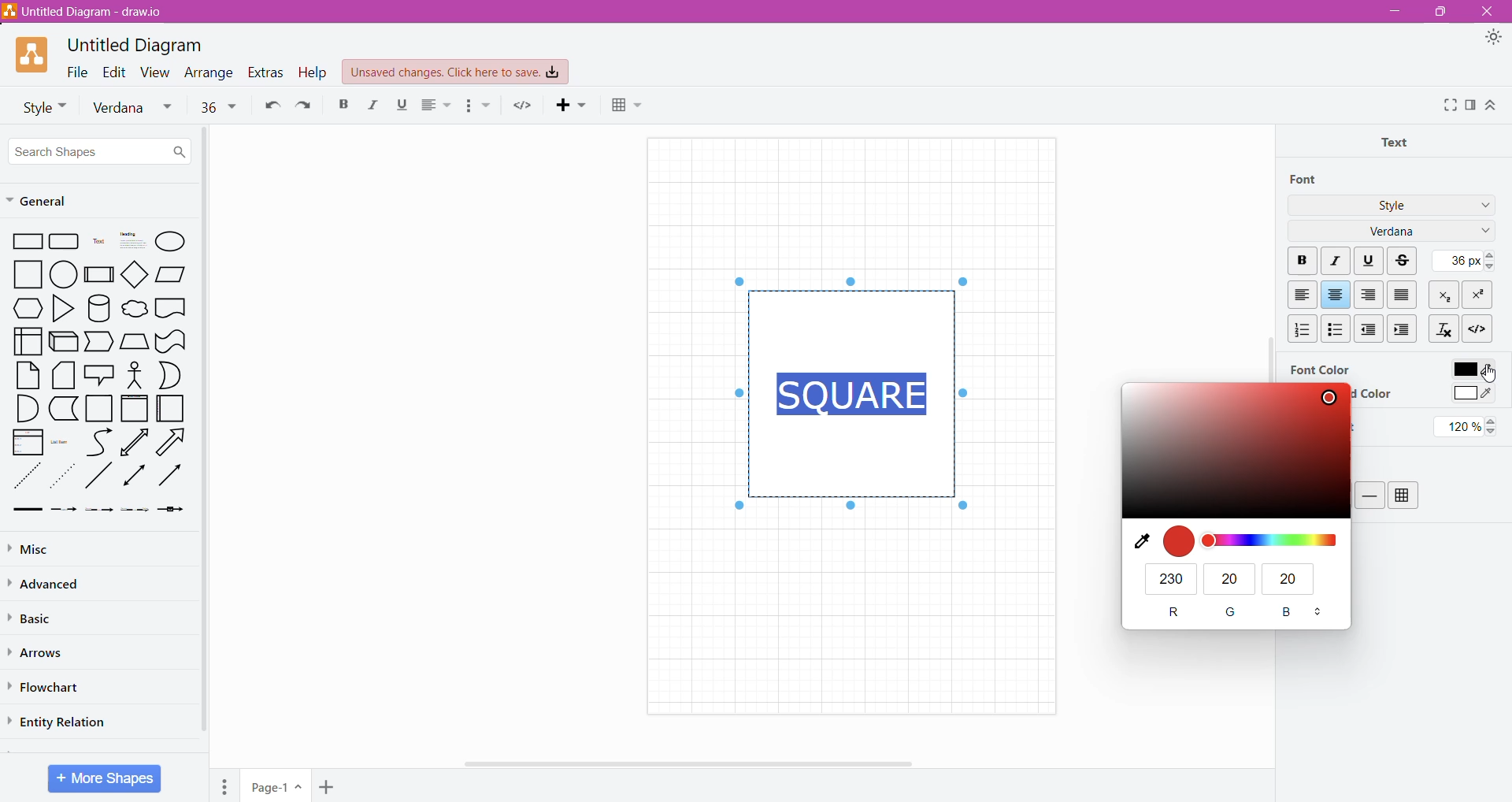 This screenshot has width=1512, height=802. What do you see at coordinates (456, 72) in the screenshot?
I see `Unsaved Changes. Click here to save` at bounding box center [456, 72].